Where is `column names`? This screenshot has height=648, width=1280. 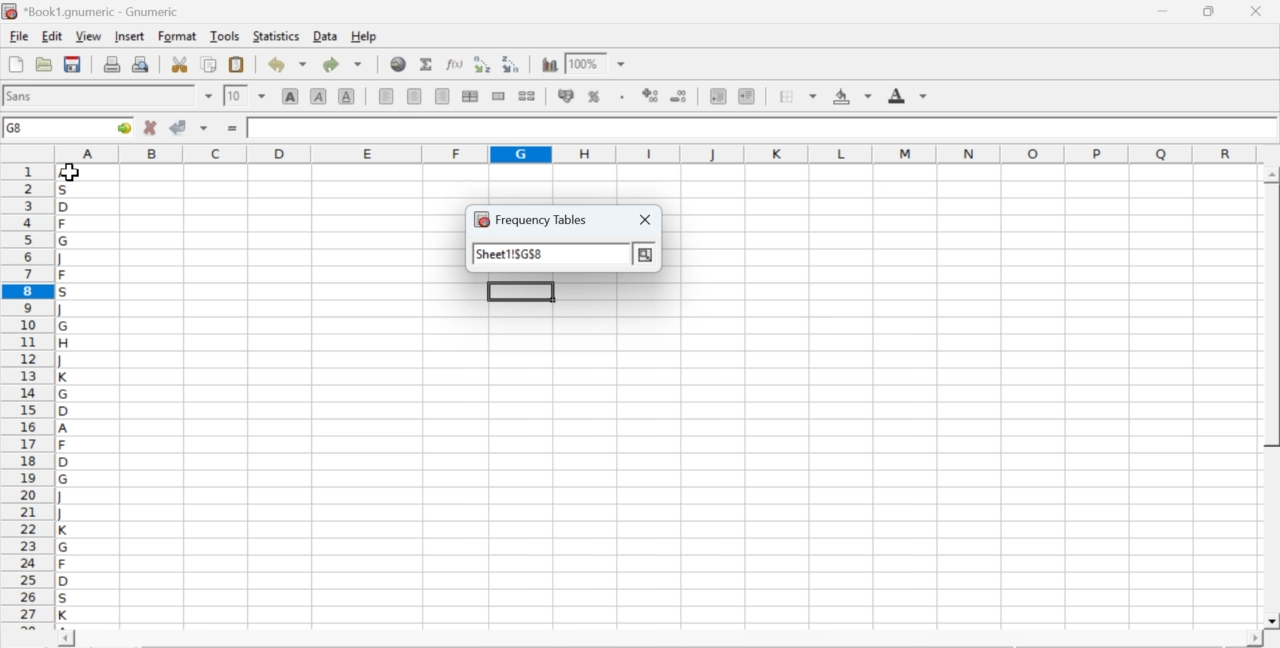
column names is located at coordinates (653, 152).